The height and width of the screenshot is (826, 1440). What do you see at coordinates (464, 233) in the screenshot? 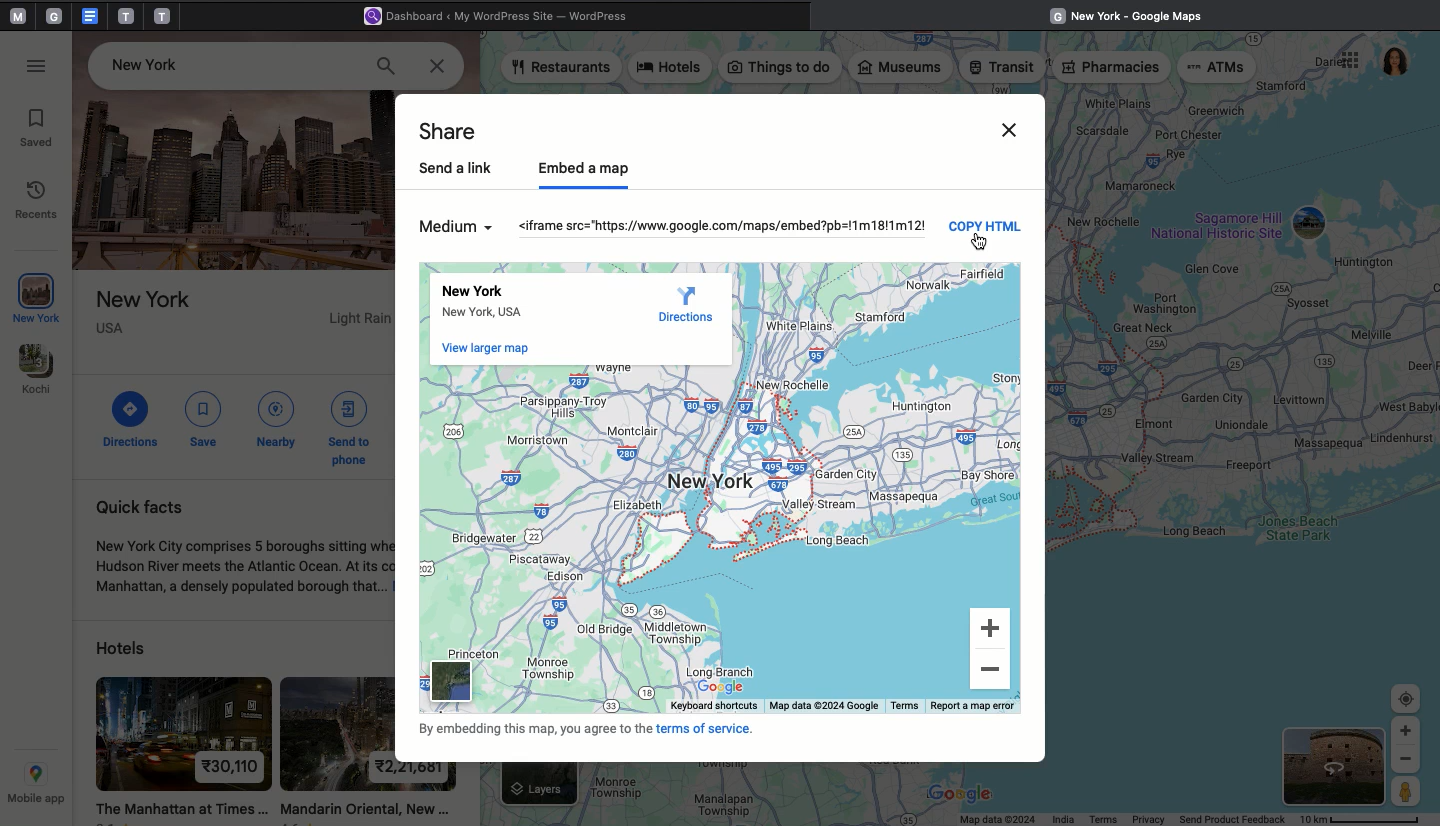
I see `Medium` at bounding box center [464, 233].